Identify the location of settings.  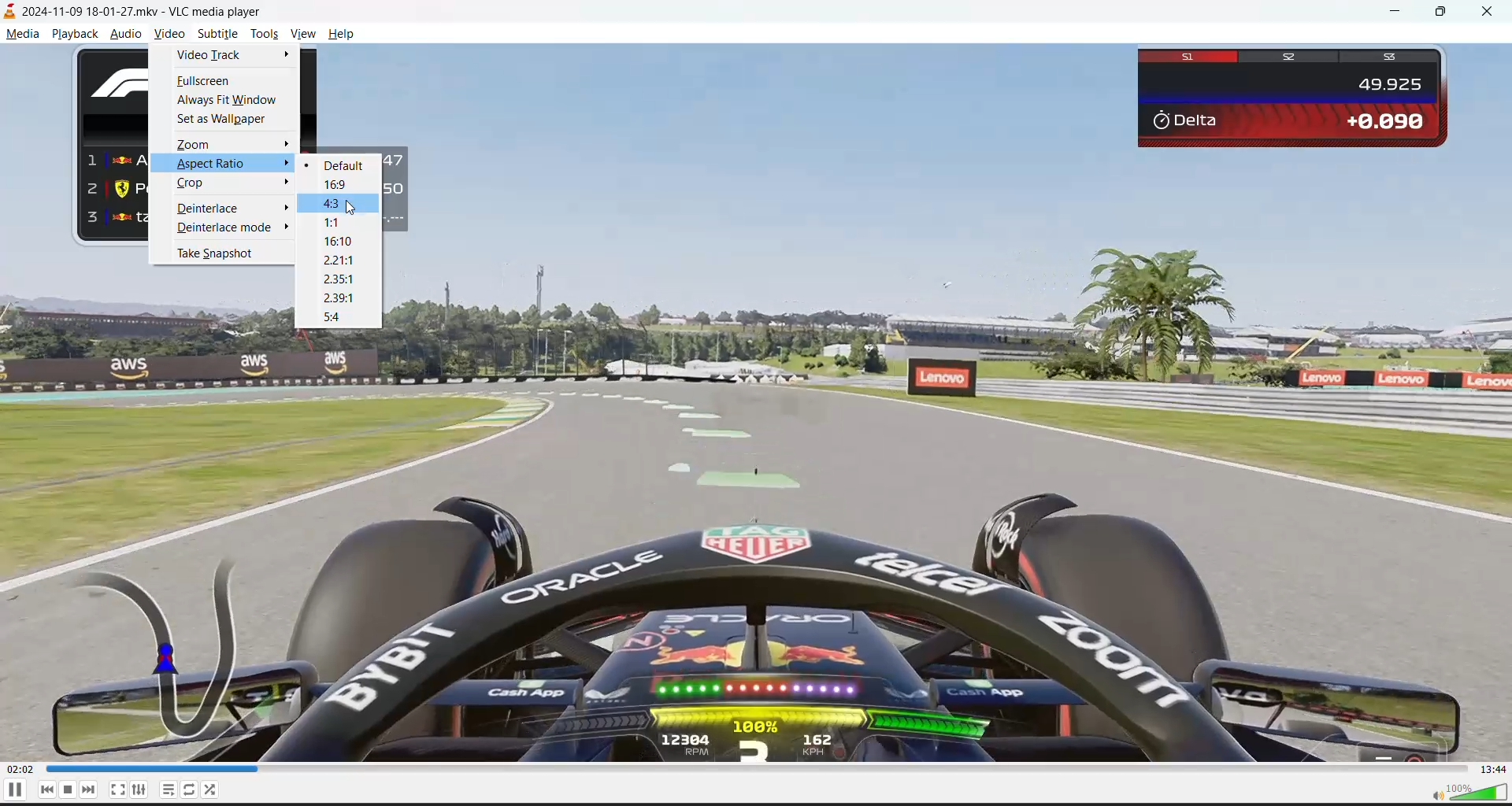
(138, 789).